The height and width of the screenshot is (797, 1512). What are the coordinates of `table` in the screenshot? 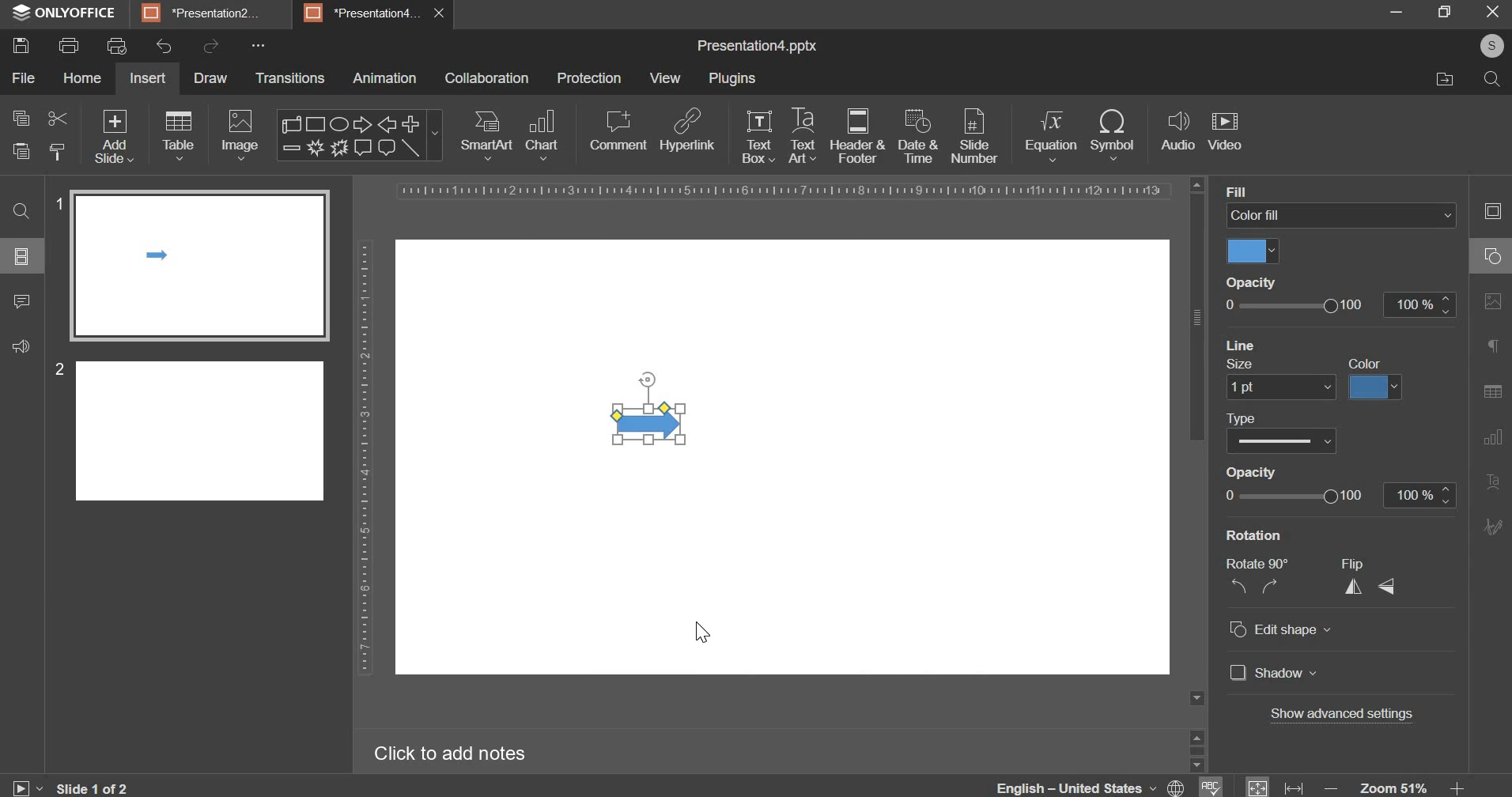 It's located at (179, 137).